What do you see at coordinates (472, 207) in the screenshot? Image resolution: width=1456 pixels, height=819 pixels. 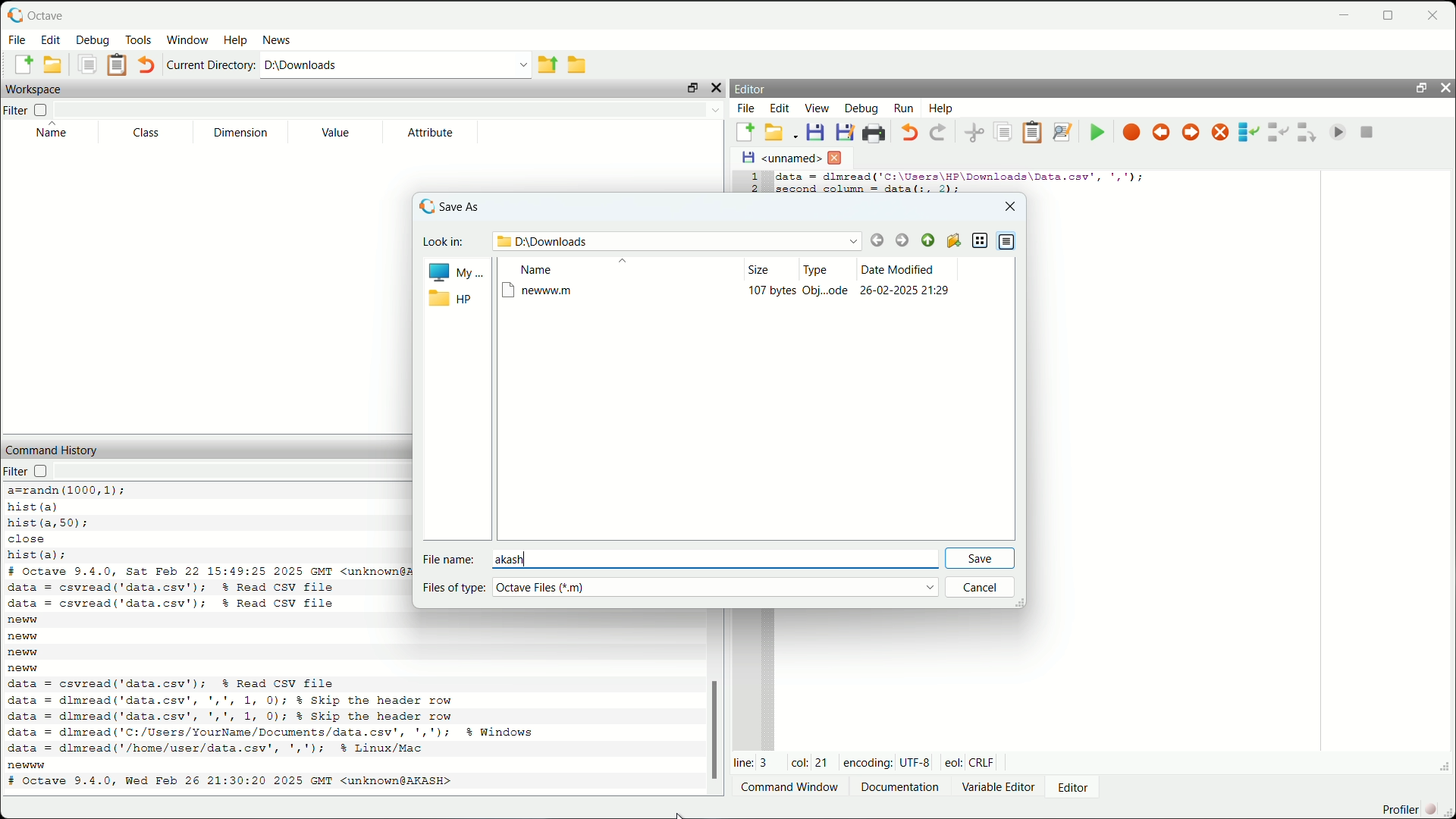 I see `save as` at bounding box center [472, 207].